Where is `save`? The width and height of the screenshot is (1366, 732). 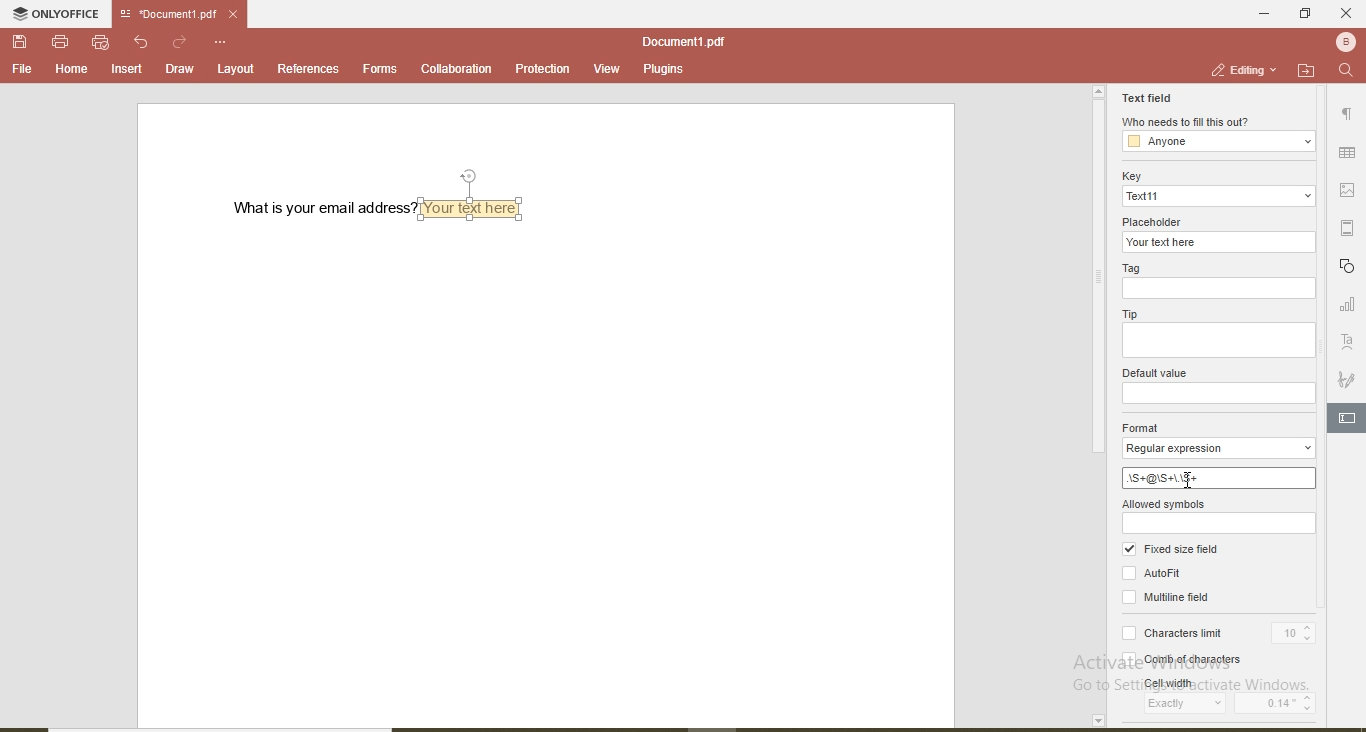 save is located at coordinates (22, 43).